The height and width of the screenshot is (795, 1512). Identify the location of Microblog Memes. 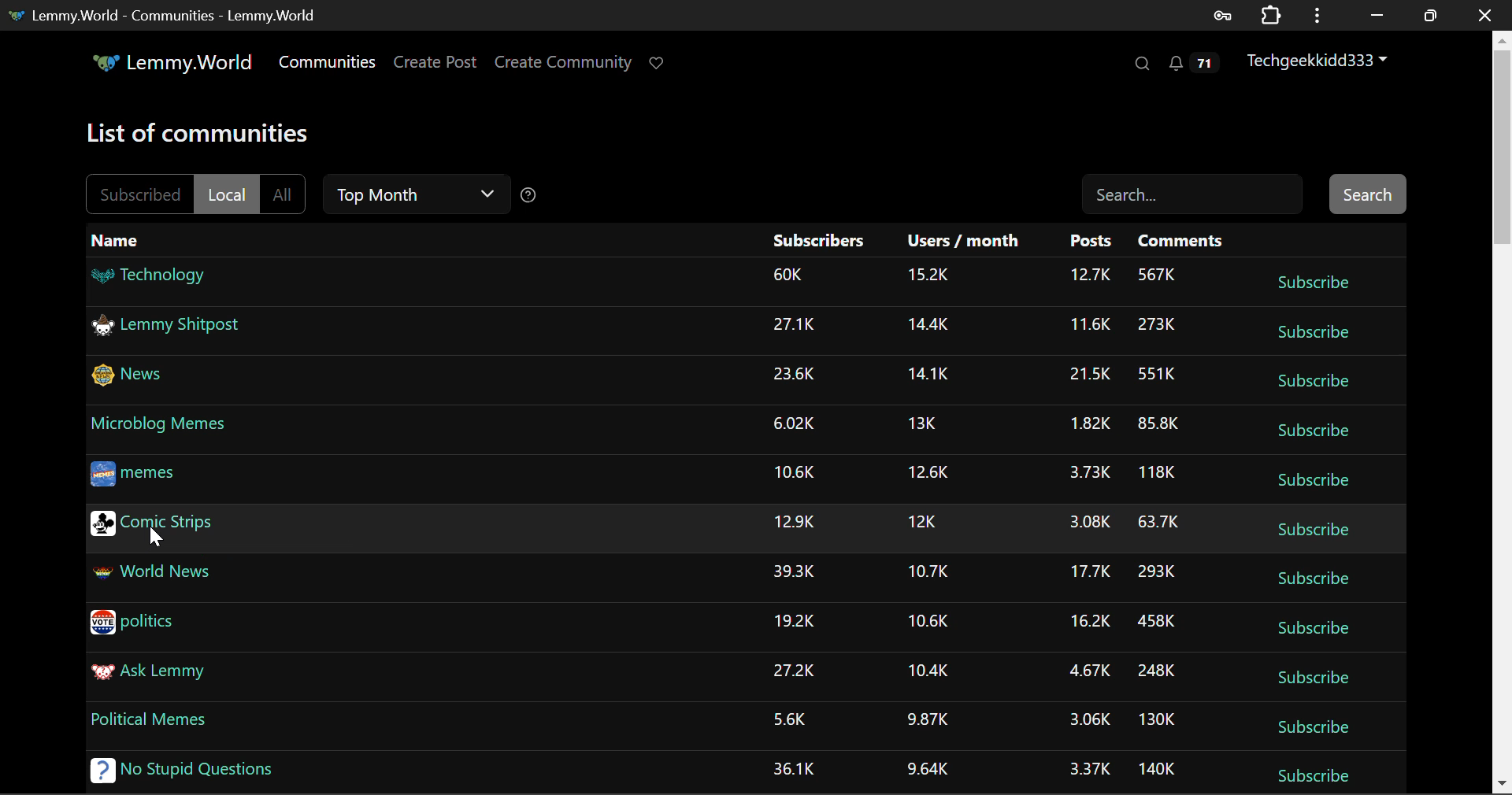
(160, 427).